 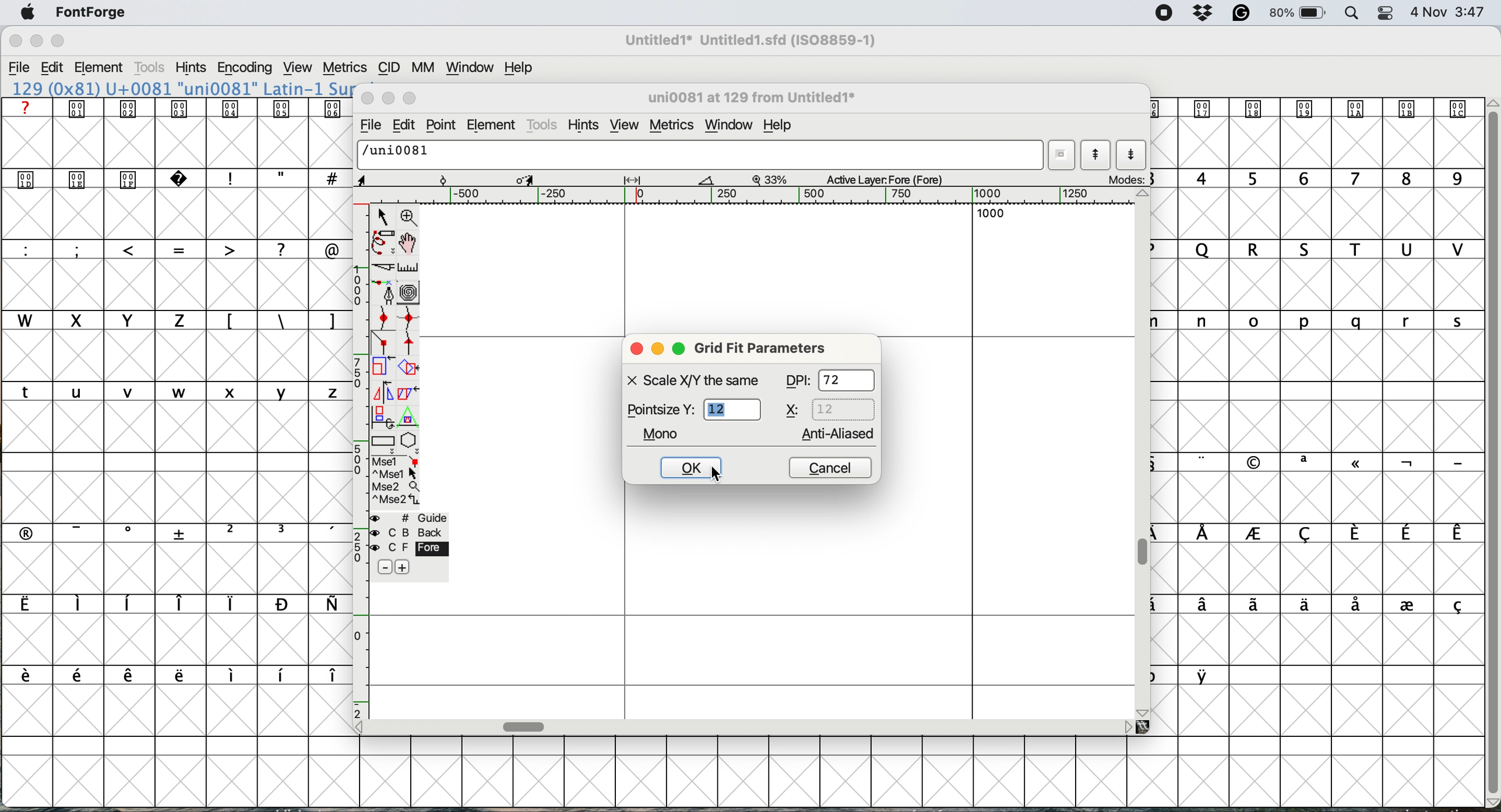 What do you see at coordinates (632, 179) in the screenshot?
I see `Width/Spacing Tool` at bounding box center [632, 179].